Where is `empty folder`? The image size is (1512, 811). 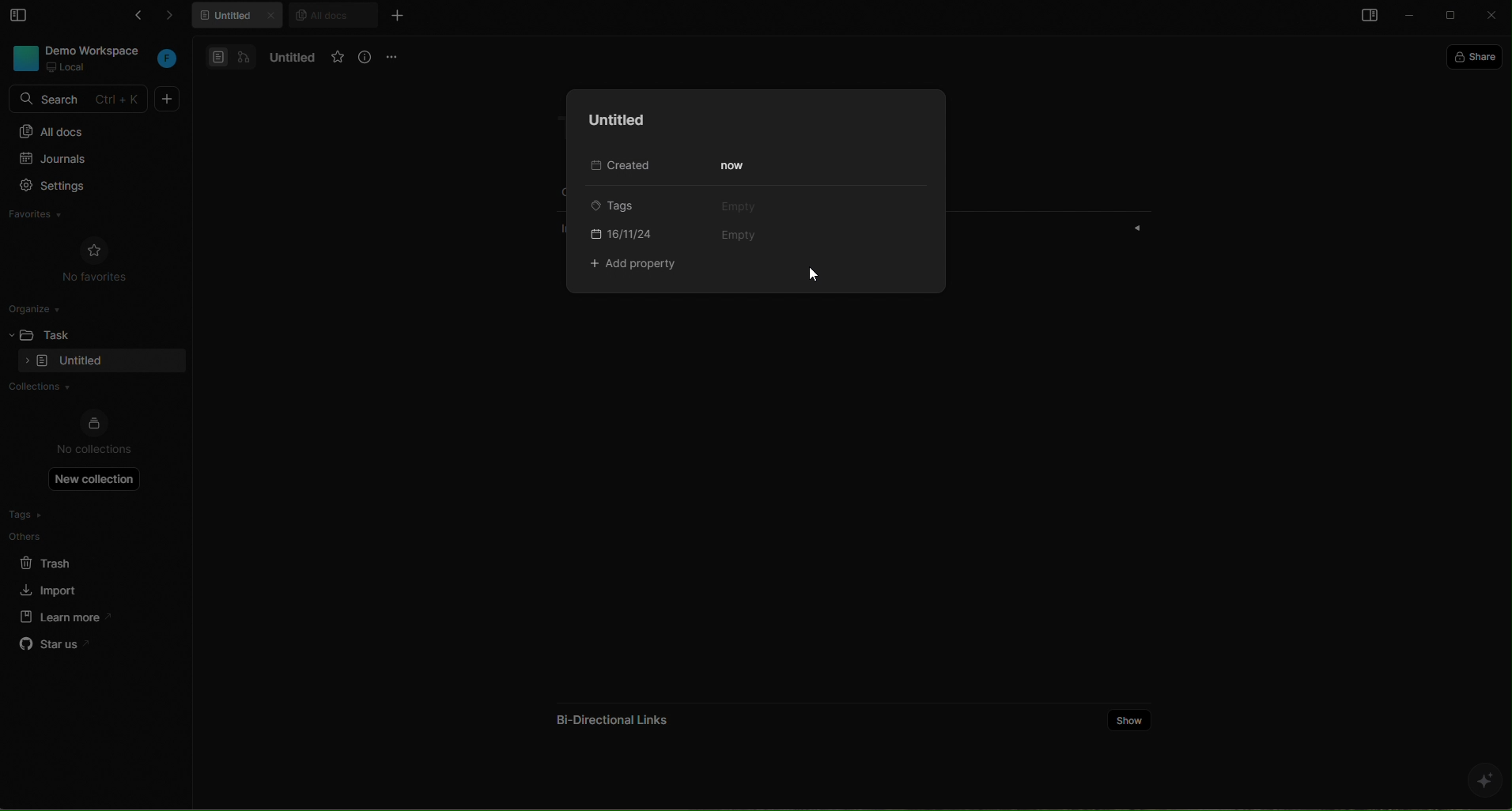 empty folder is located at coordinates (81, 362).